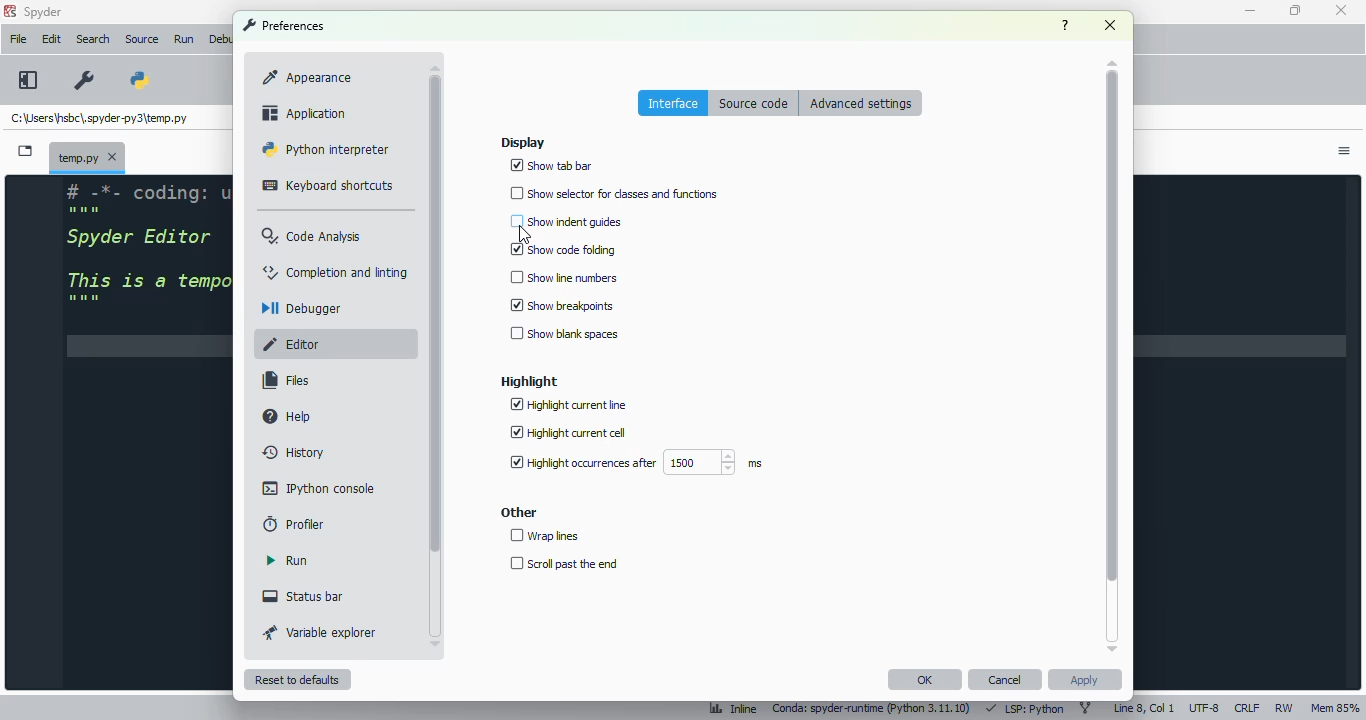  Describe the element at coordinates (312, 236) in the screenshot. I see `code analysis` at that location.